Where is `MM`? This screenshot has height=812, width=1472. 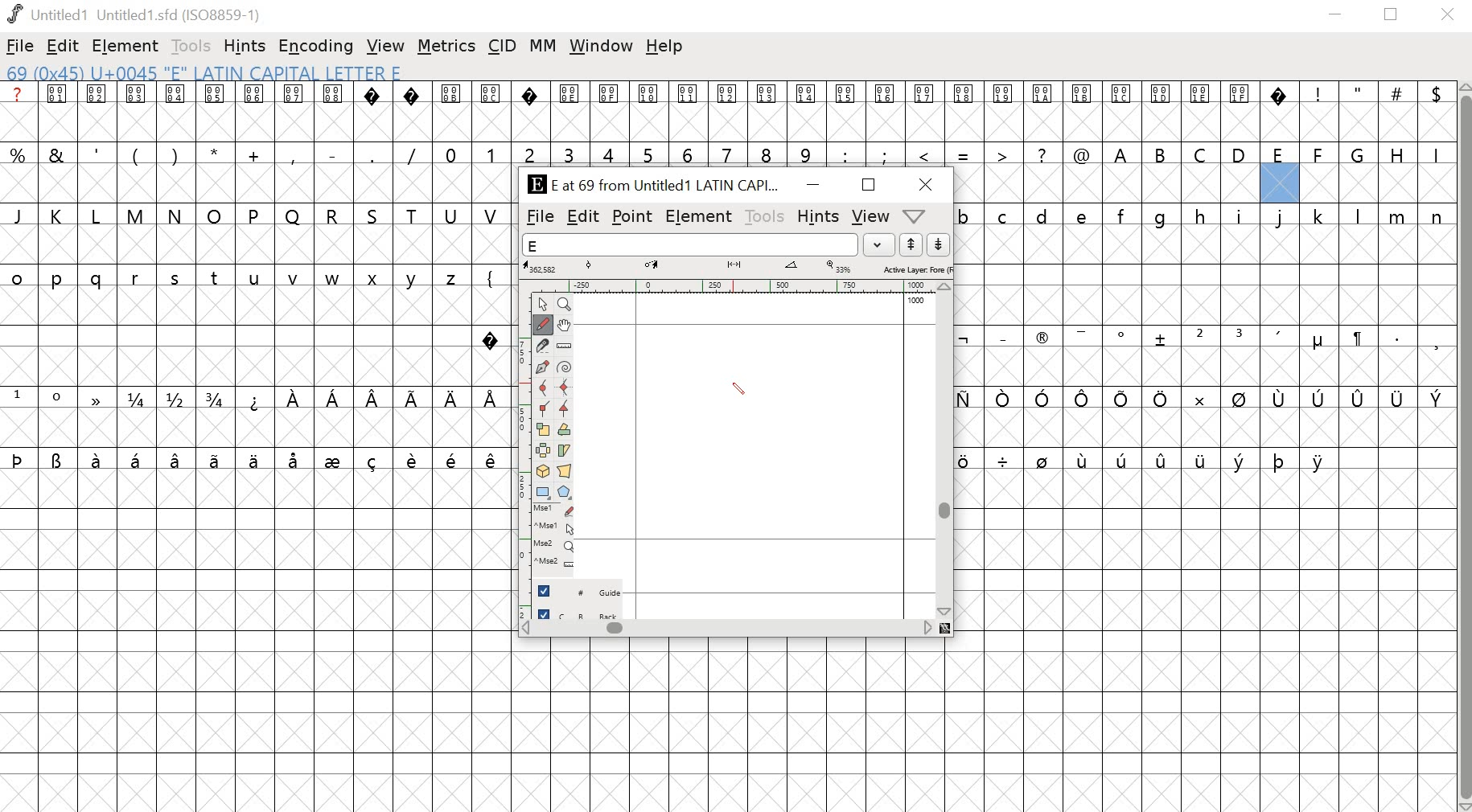 MM is located at coordinates (543, 47).